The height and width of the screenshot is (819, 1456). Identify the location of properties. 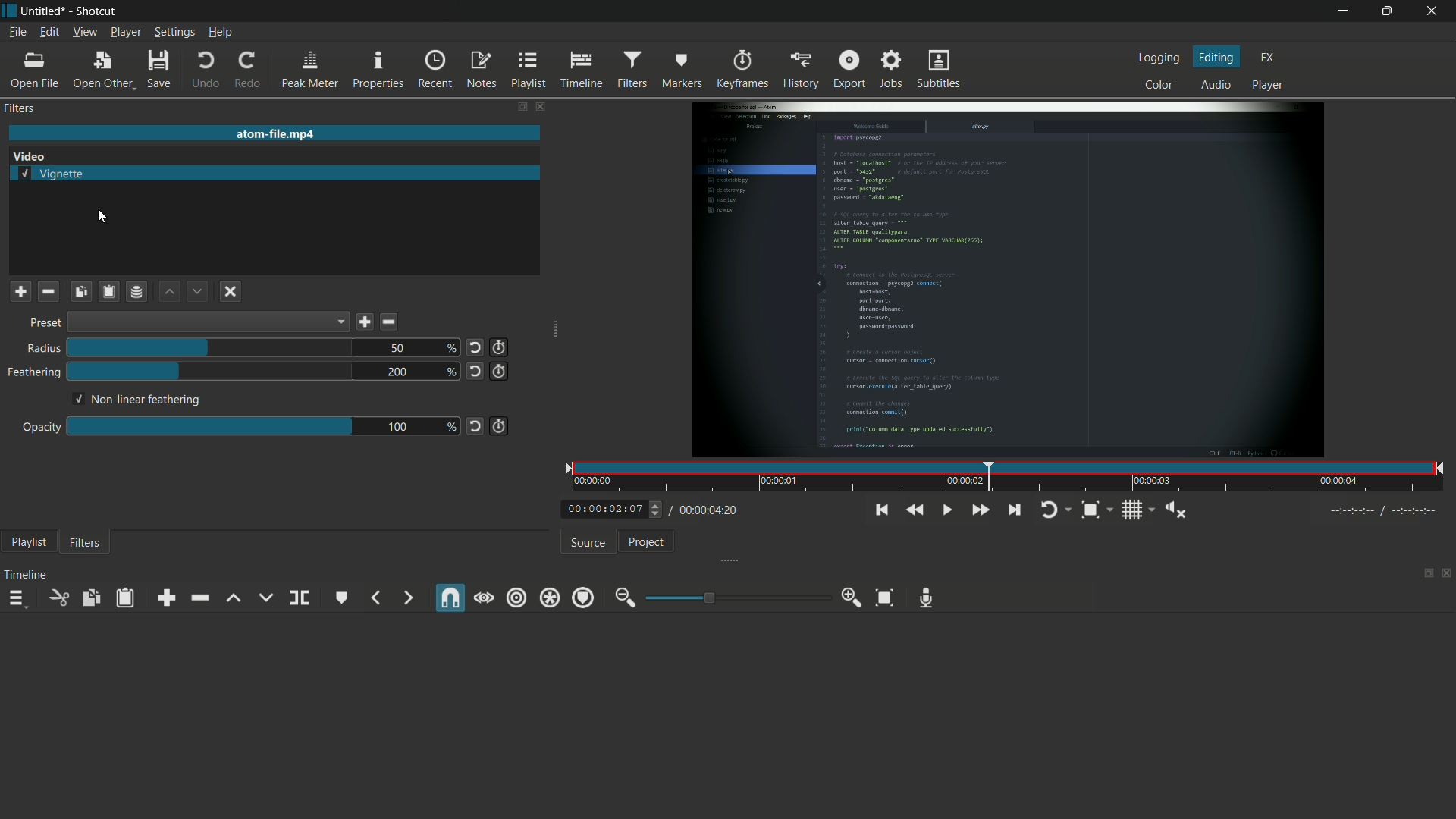
(377, 71).